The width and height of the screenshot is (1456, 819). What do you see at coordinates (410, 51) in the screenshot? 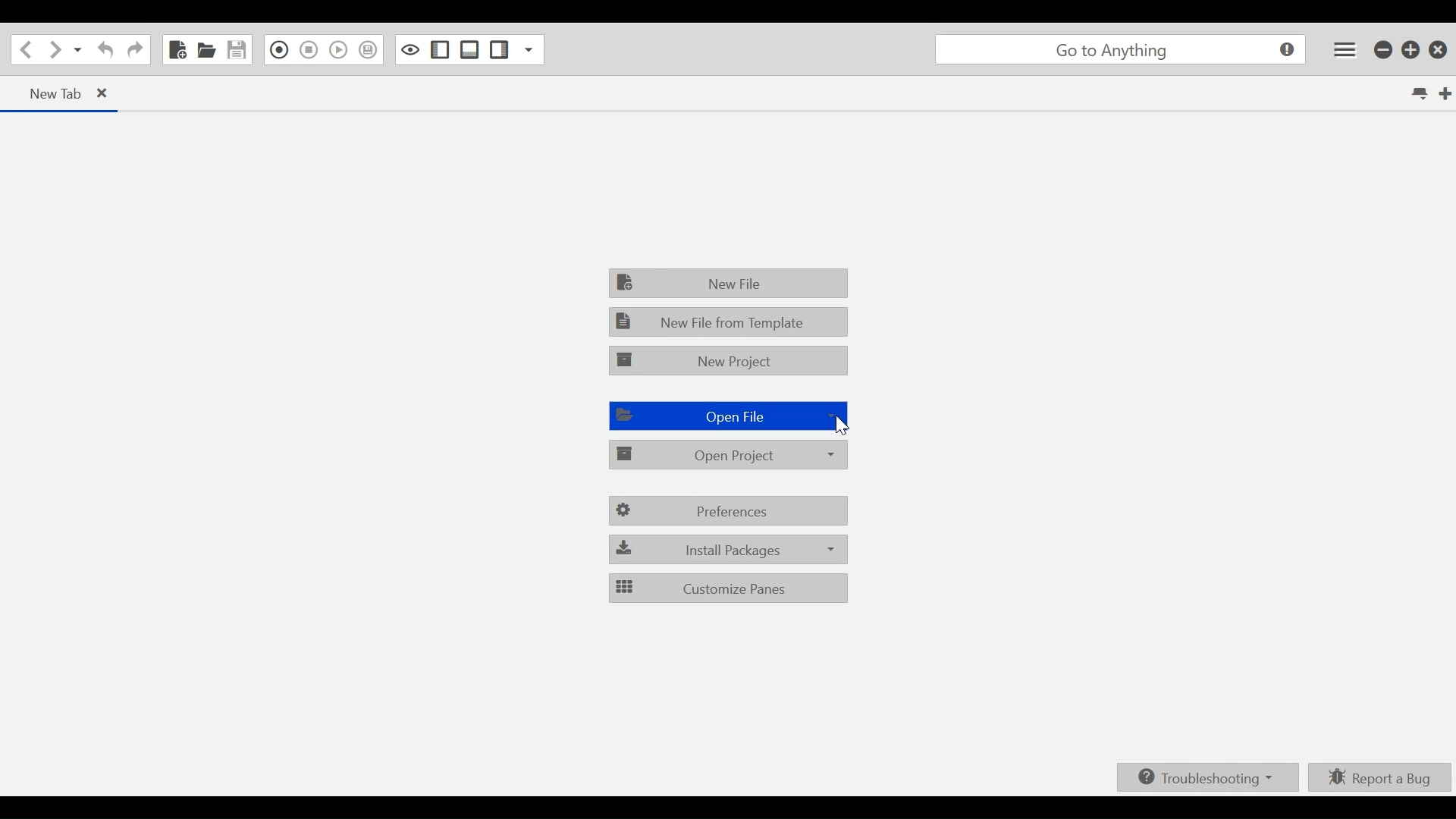
I see `Toggle focus mode` at bounding box center [410, 51].